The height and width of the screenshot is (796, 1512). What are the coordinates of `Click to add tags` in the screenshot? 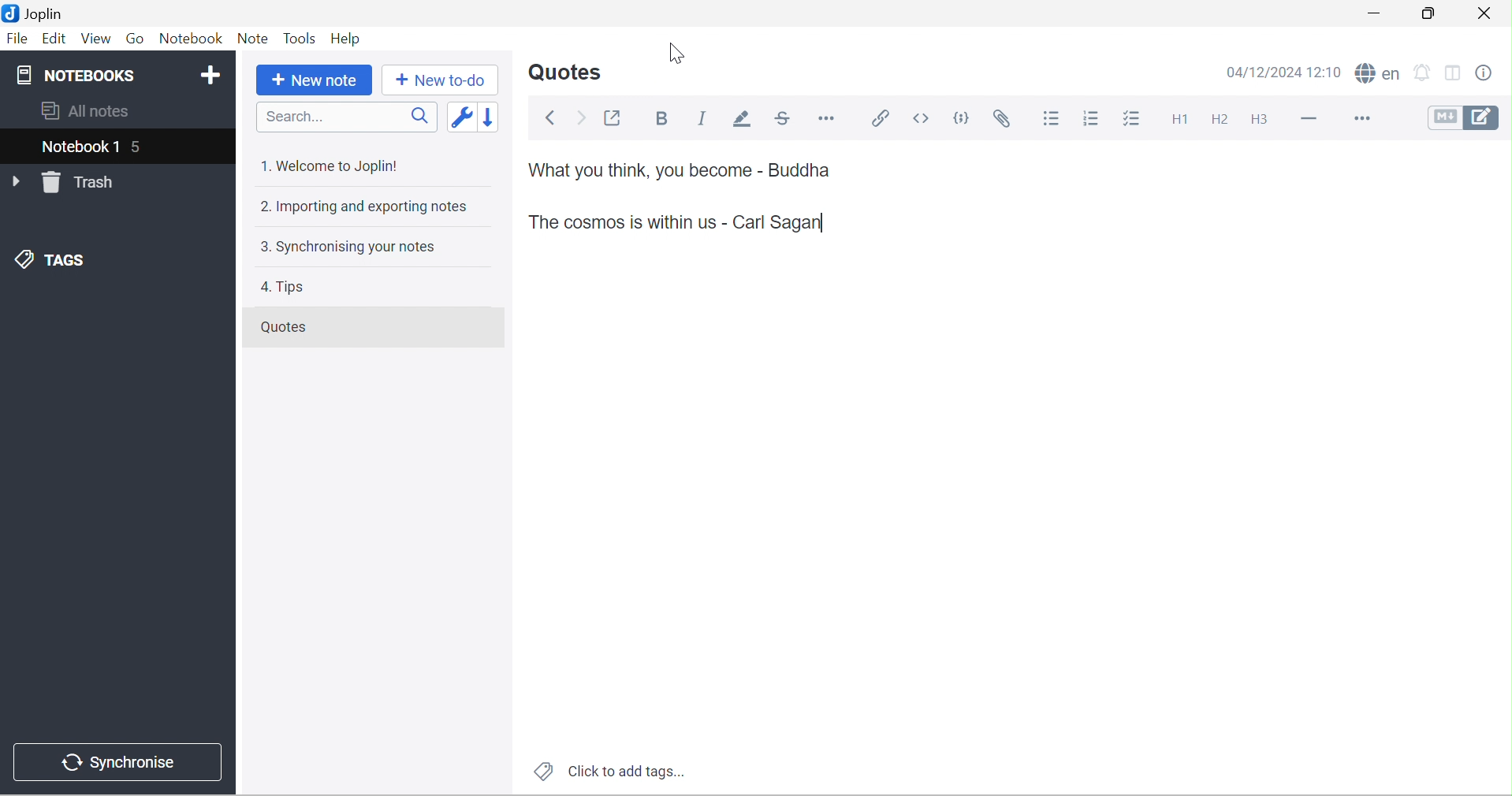 It's located at (612, 770).